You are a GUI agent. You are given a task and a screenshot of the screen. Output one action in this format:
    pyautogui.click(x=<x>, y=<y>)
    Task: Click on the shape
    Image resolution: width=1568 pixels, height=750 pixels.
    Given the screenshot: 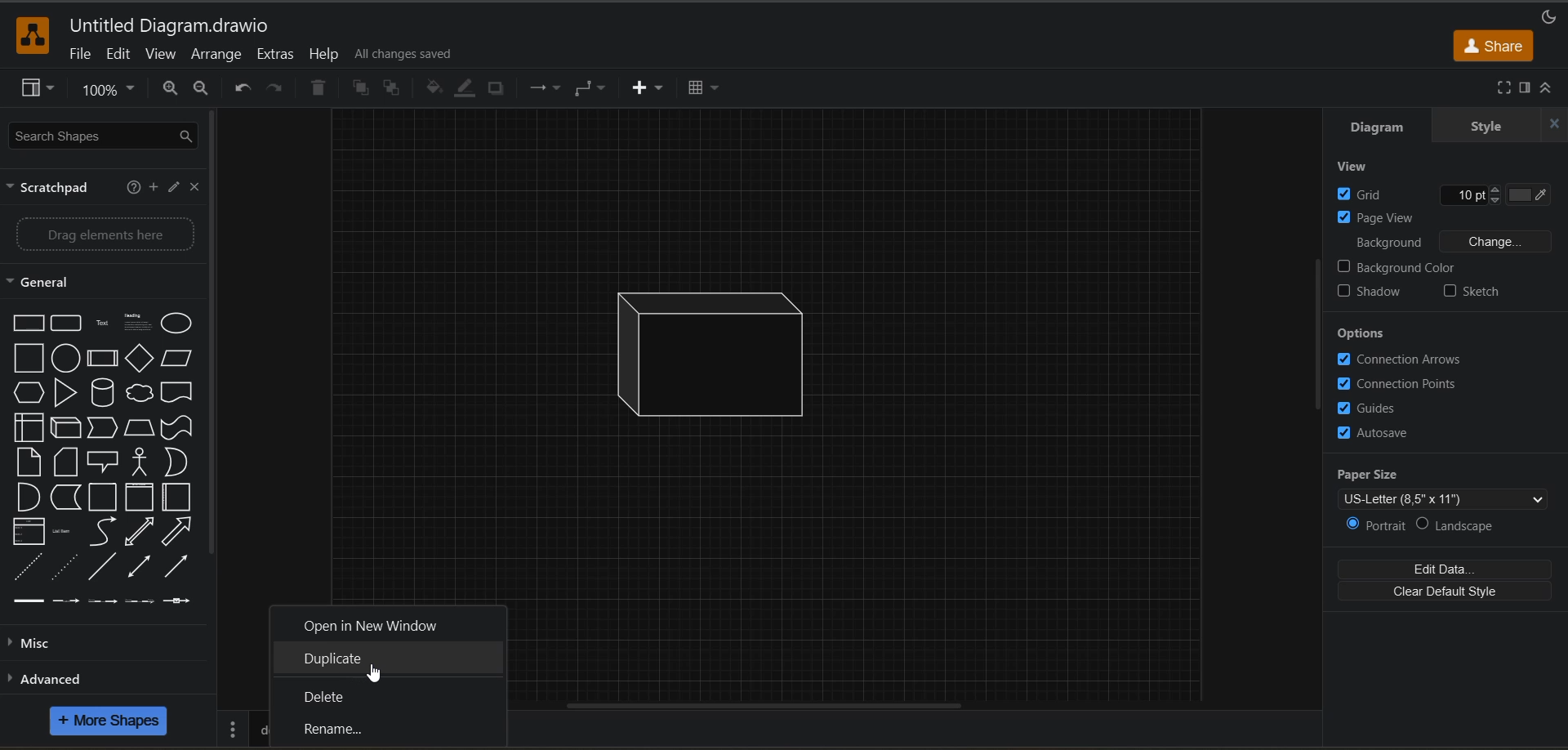 What is the action you would take?
    pyautogui.click(x=728, y=356)
    